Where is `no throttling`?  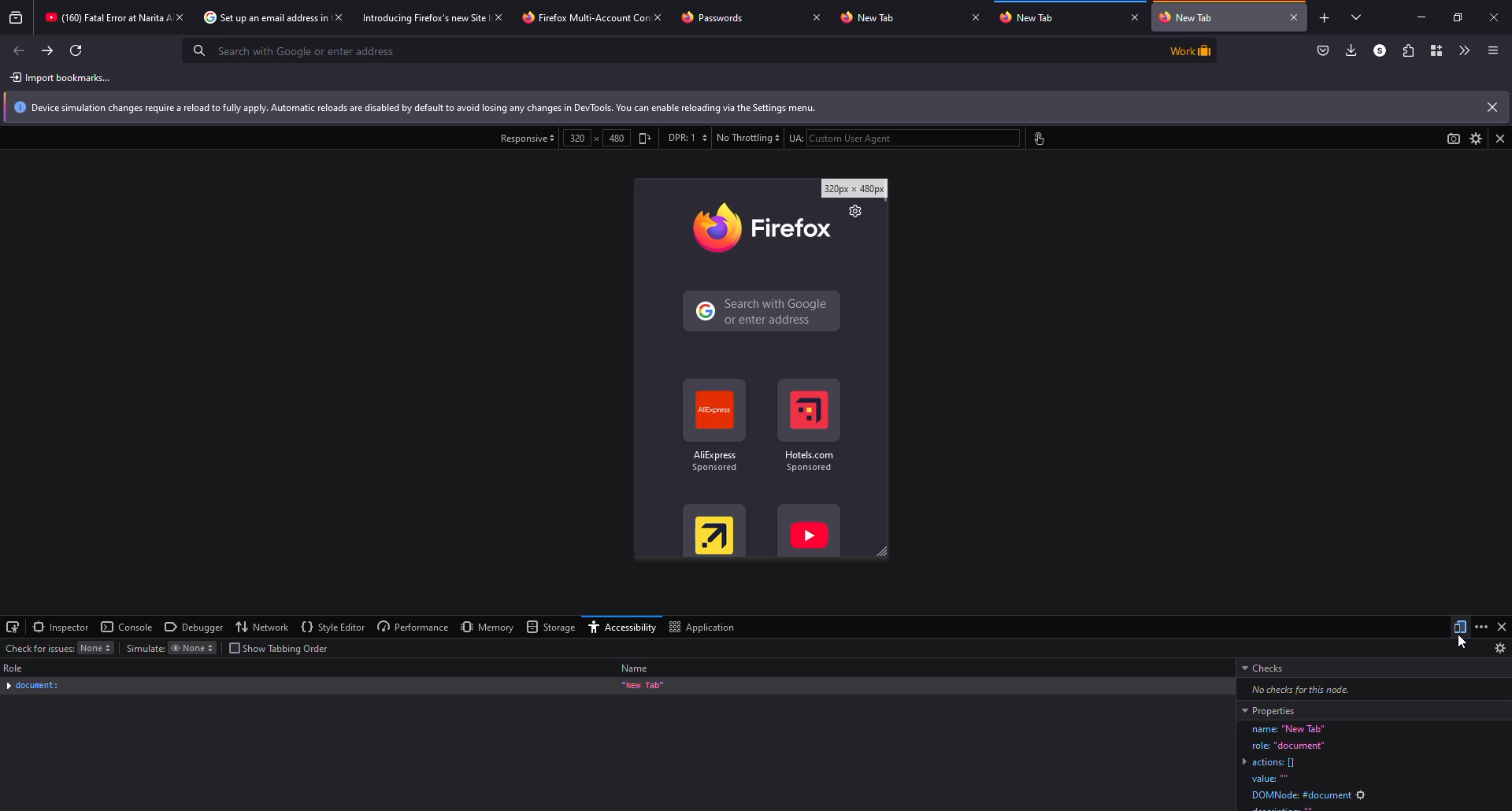
no throttling is located at coordinates (747, 138).